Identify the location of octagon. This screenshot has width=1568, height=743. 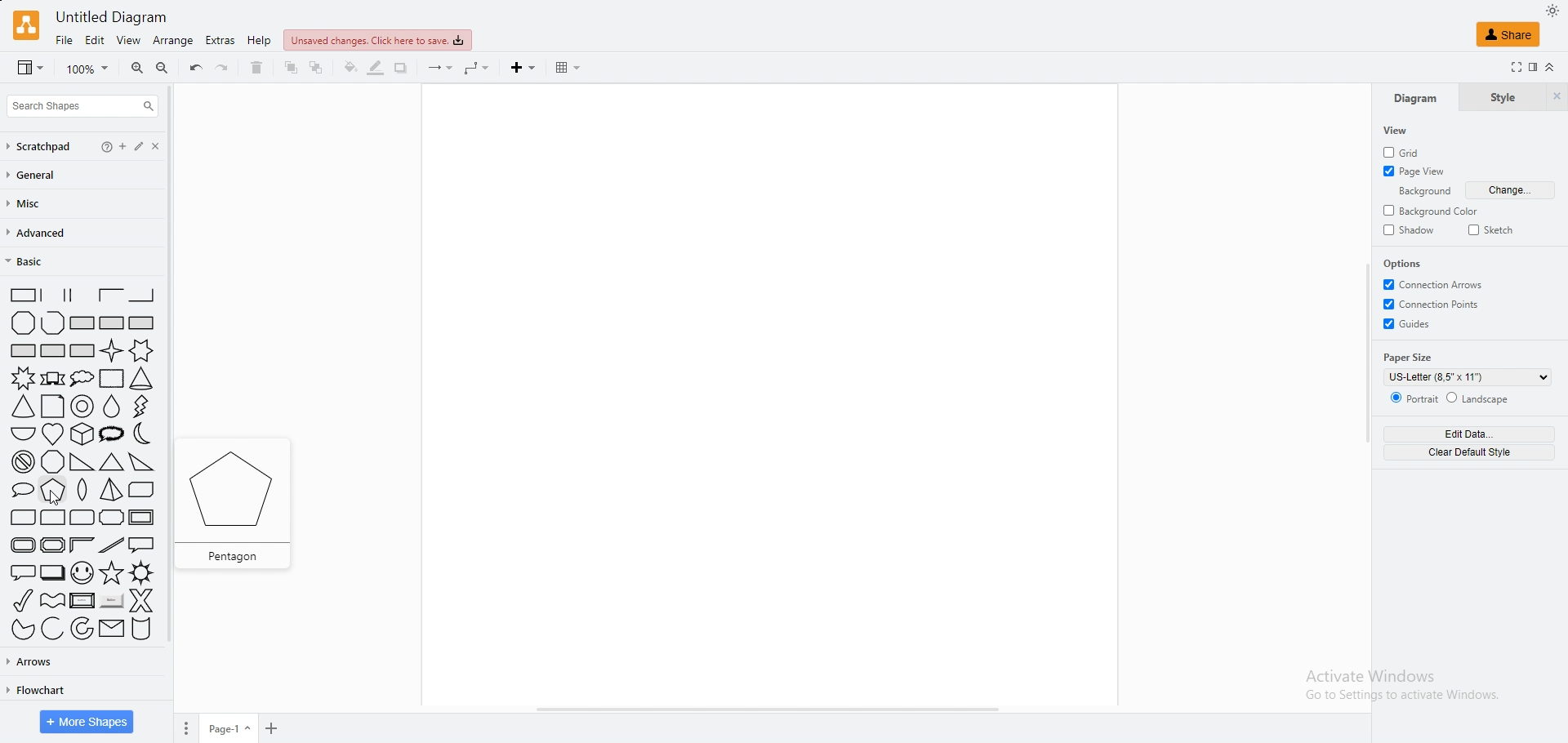
(53, 462).